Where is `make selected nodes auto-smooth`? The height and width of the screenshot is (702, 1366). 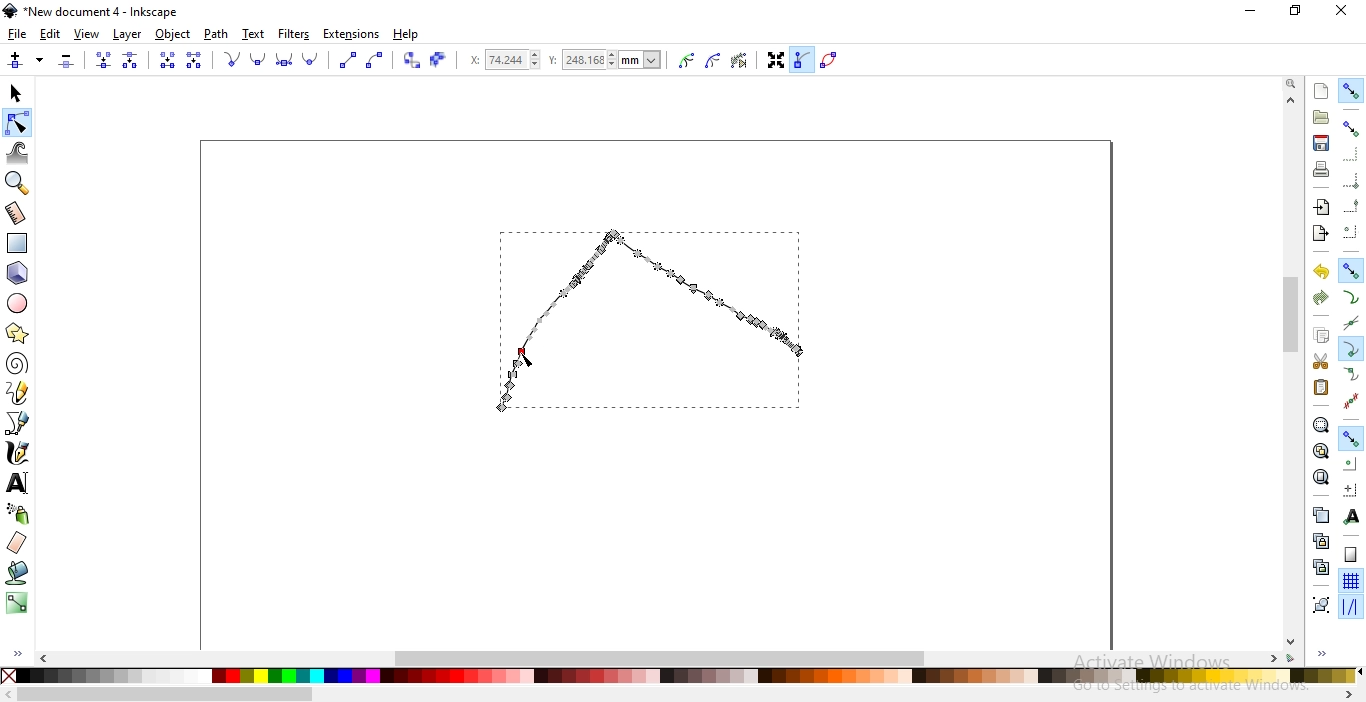 make selected nodes auto-smooth is located at coordinates (311, 60).